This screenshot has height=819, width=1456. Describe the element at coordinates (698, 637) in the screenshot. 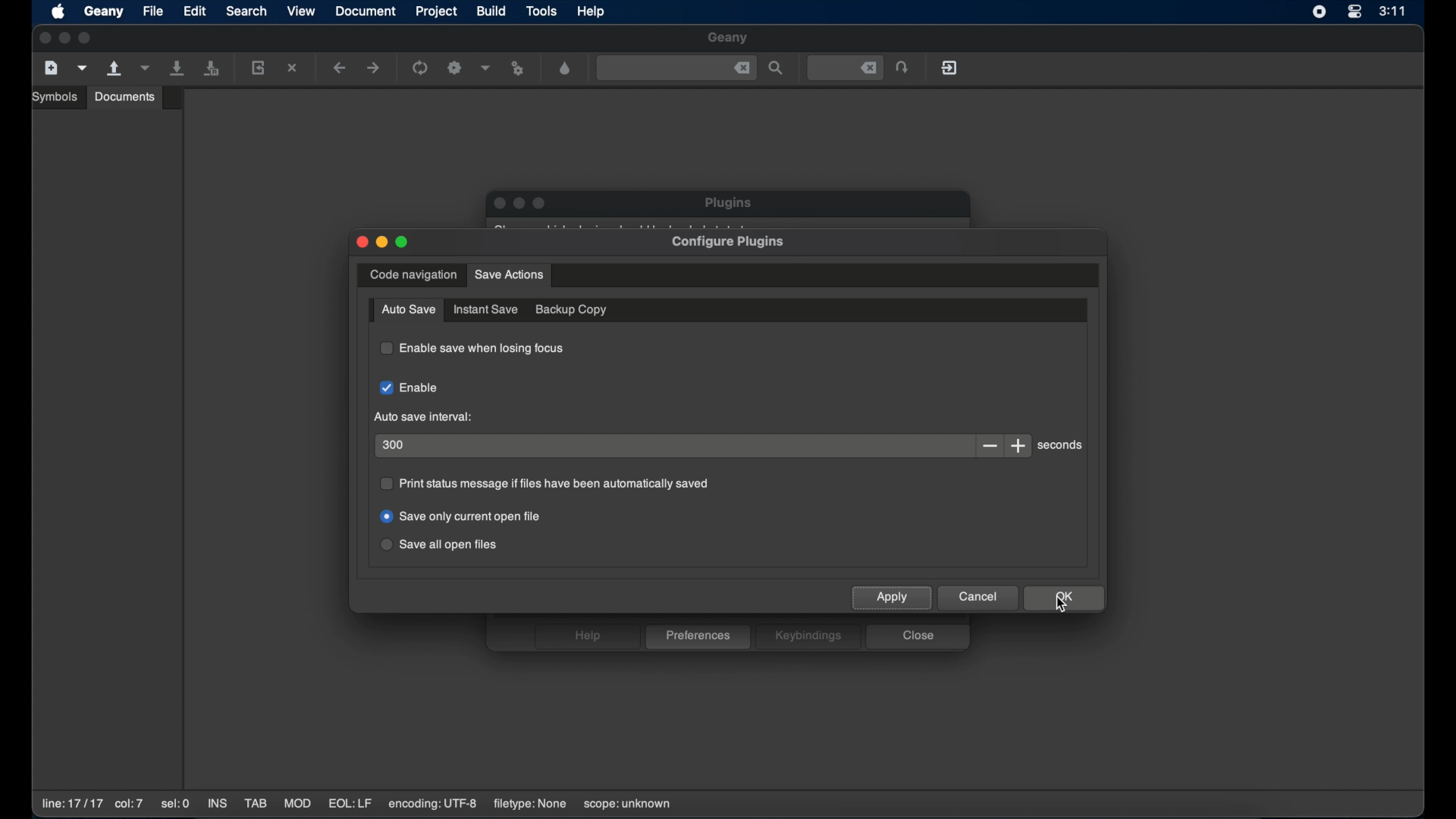

I see `preferences` at that location.